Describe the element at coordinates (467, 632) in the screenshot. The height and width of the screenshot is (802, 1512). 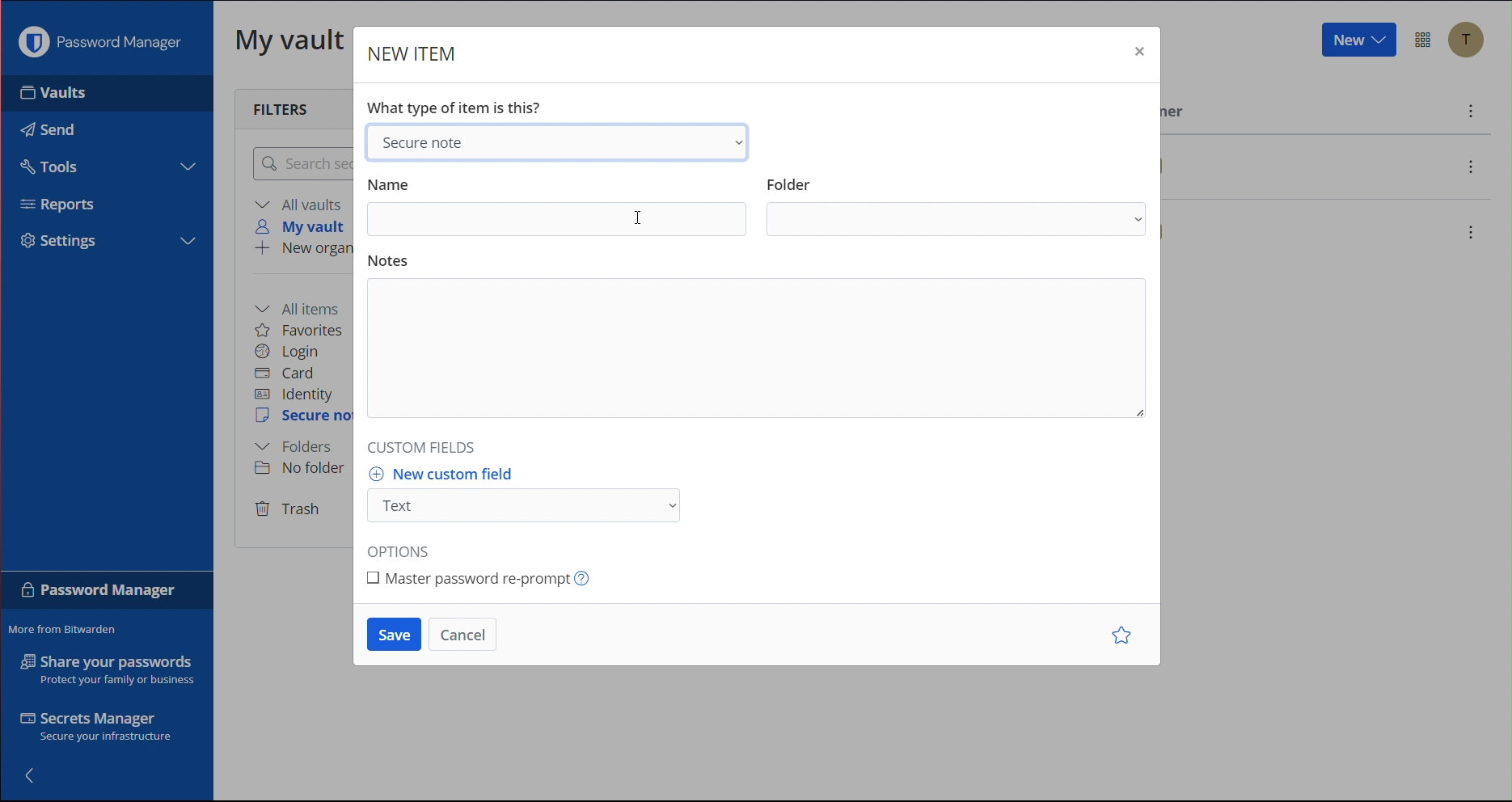
I see `Cancel` at that location.